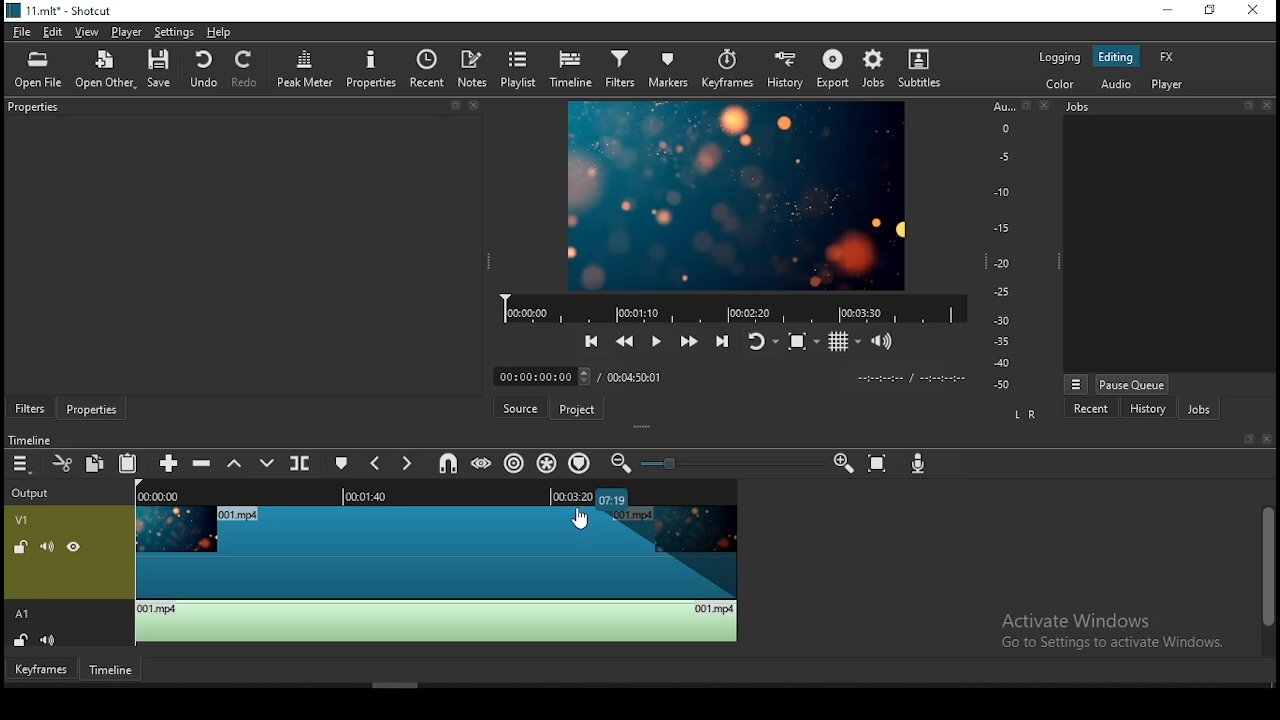  I want to click on jobs, so click(1196, 411).